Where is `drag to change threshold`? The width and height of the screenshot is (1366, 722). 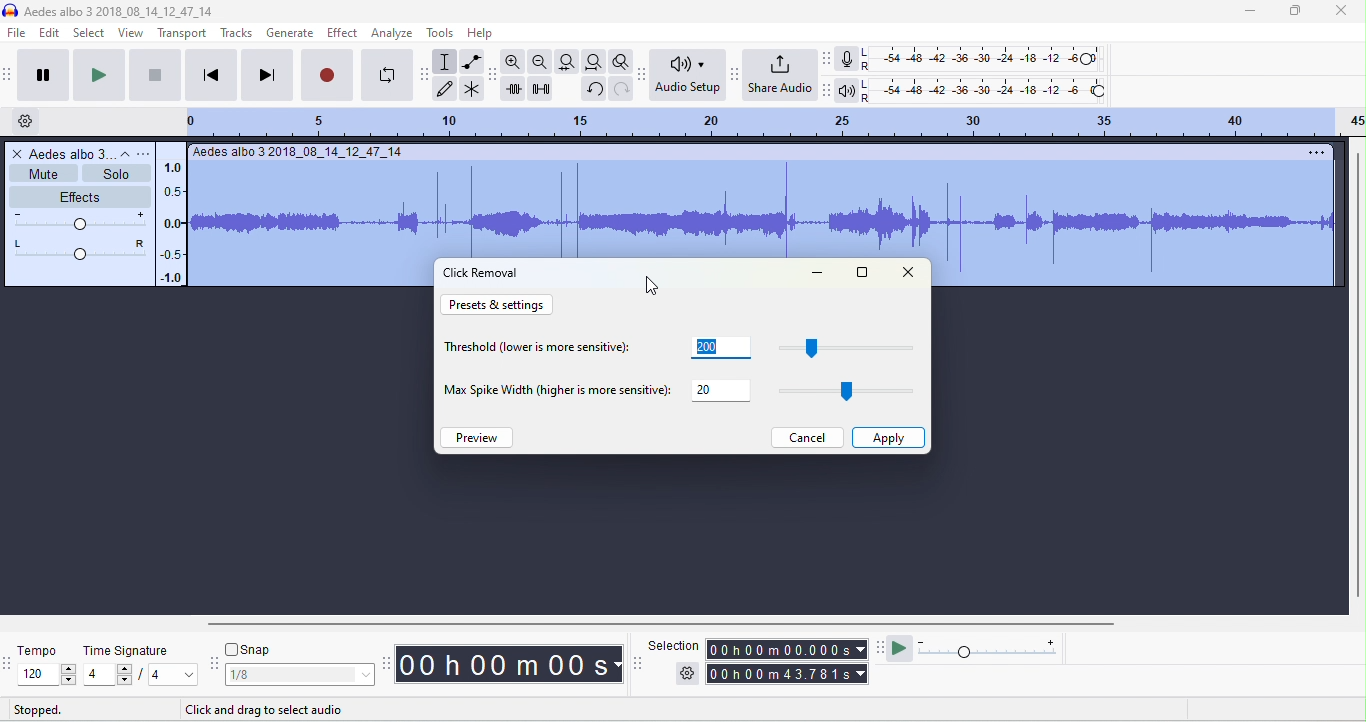
drag to change threshold is located at coordinates (848, 347).